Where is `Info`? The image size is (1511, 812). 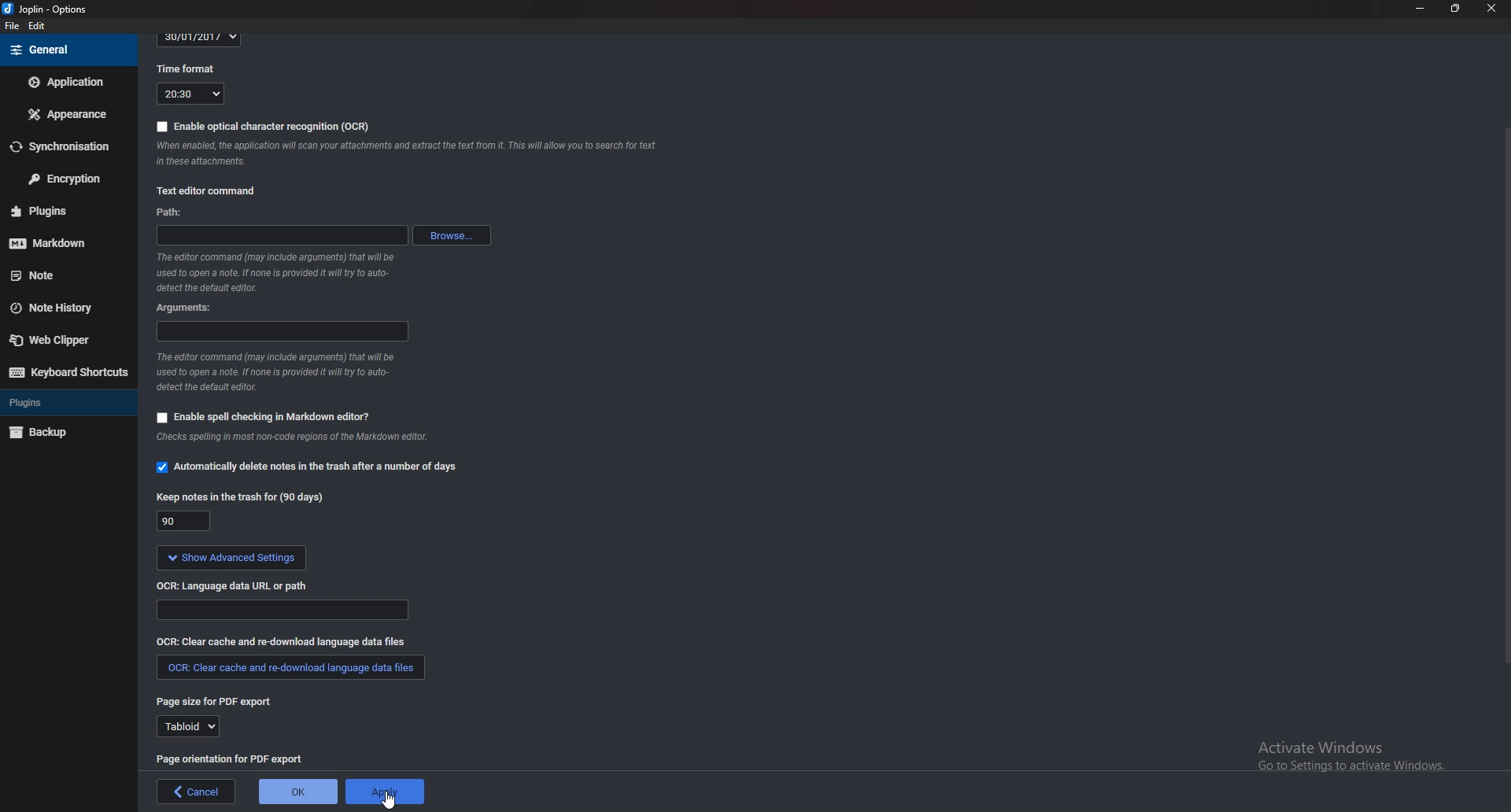 Info is located at coordinates (275, 372).